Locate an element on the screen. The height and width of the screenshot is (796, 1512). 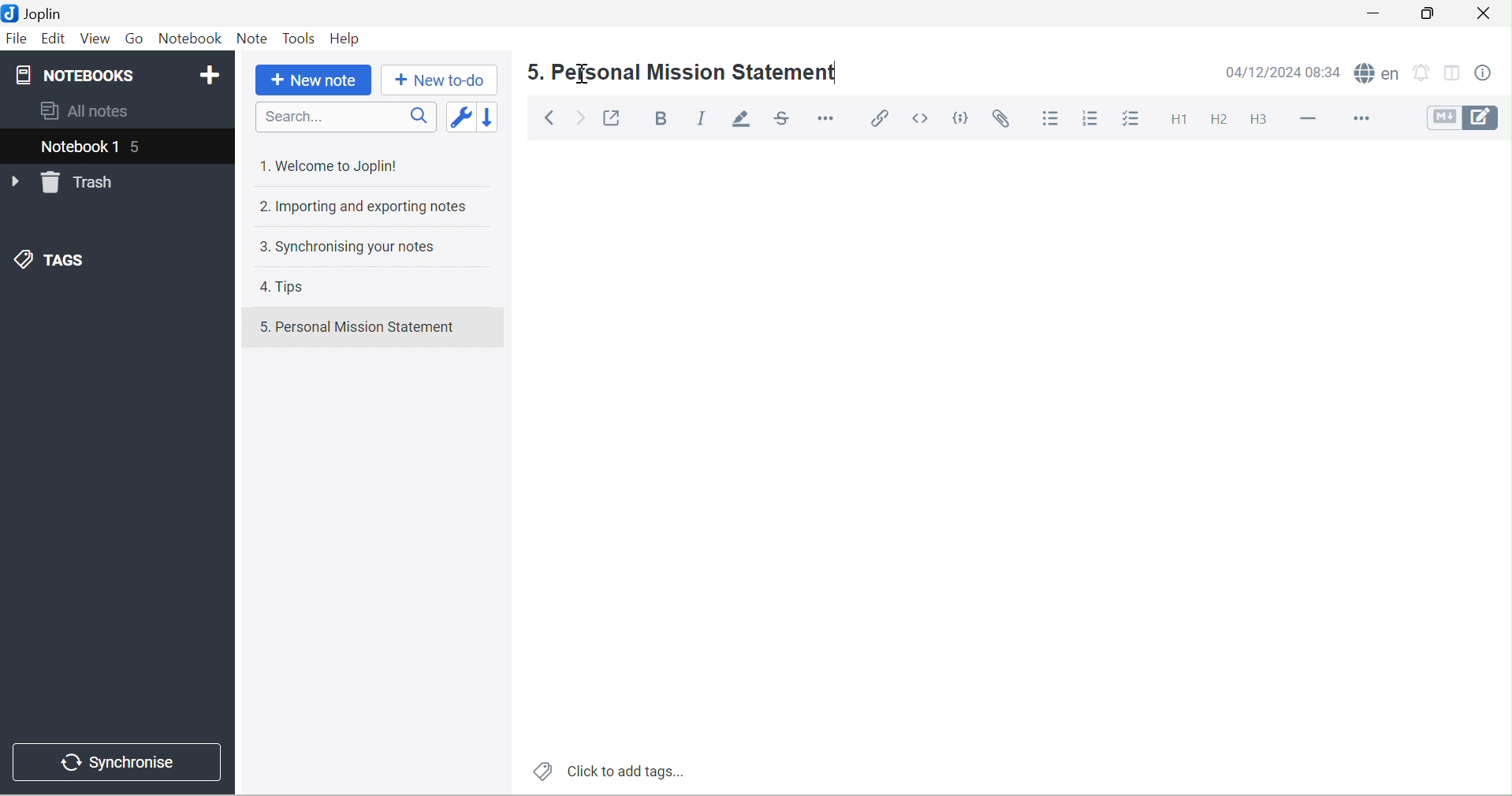
Heading 1 is located at coordinates (1185, 118).